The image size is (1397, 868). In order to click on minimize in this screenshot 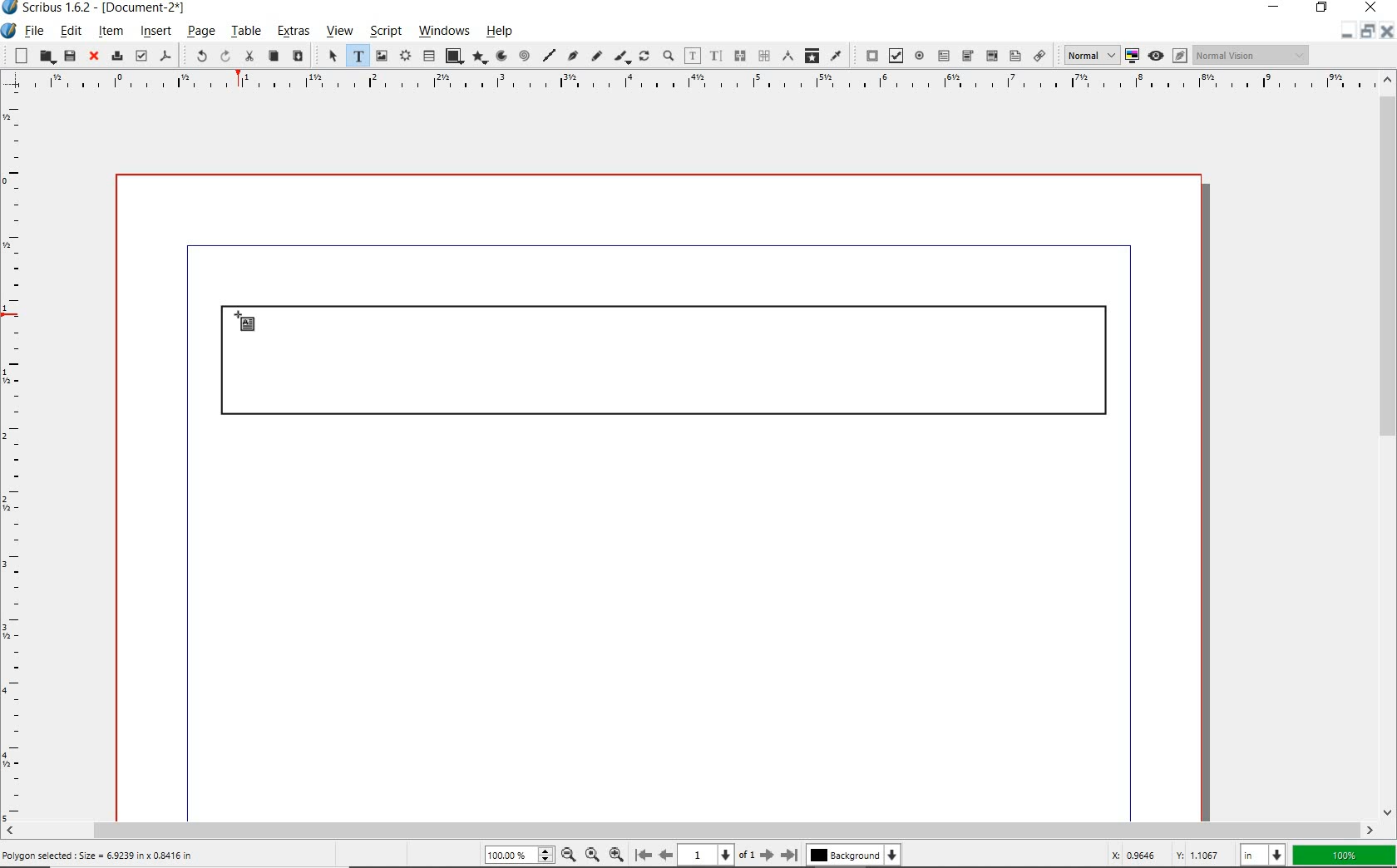, I will do `click(1345, 36)`.